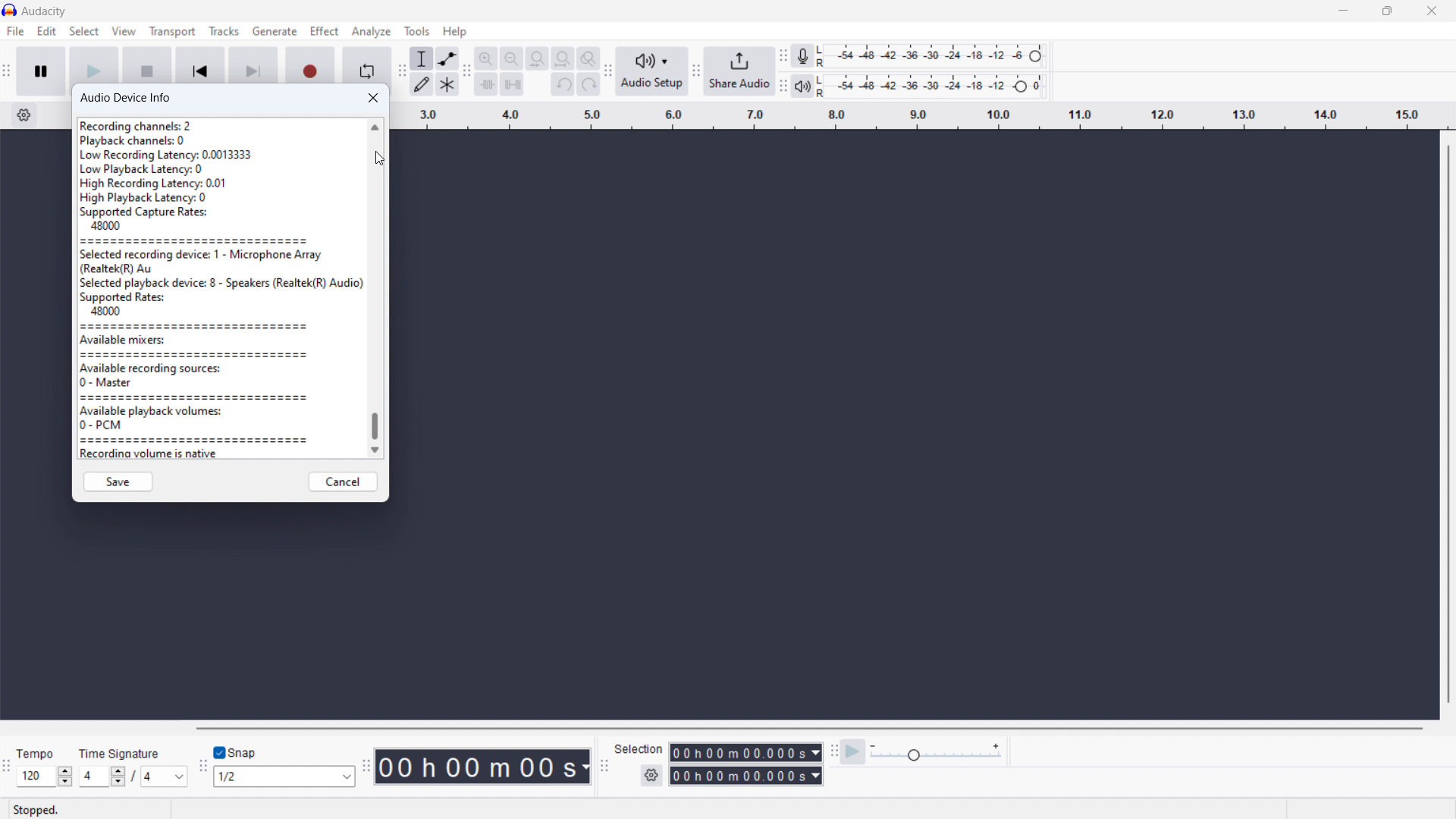 This screenshot has height=819, width=1456. Describe the element at coordinates (201, 765) in the screenshot. I see `snapping toolbar` at that location.